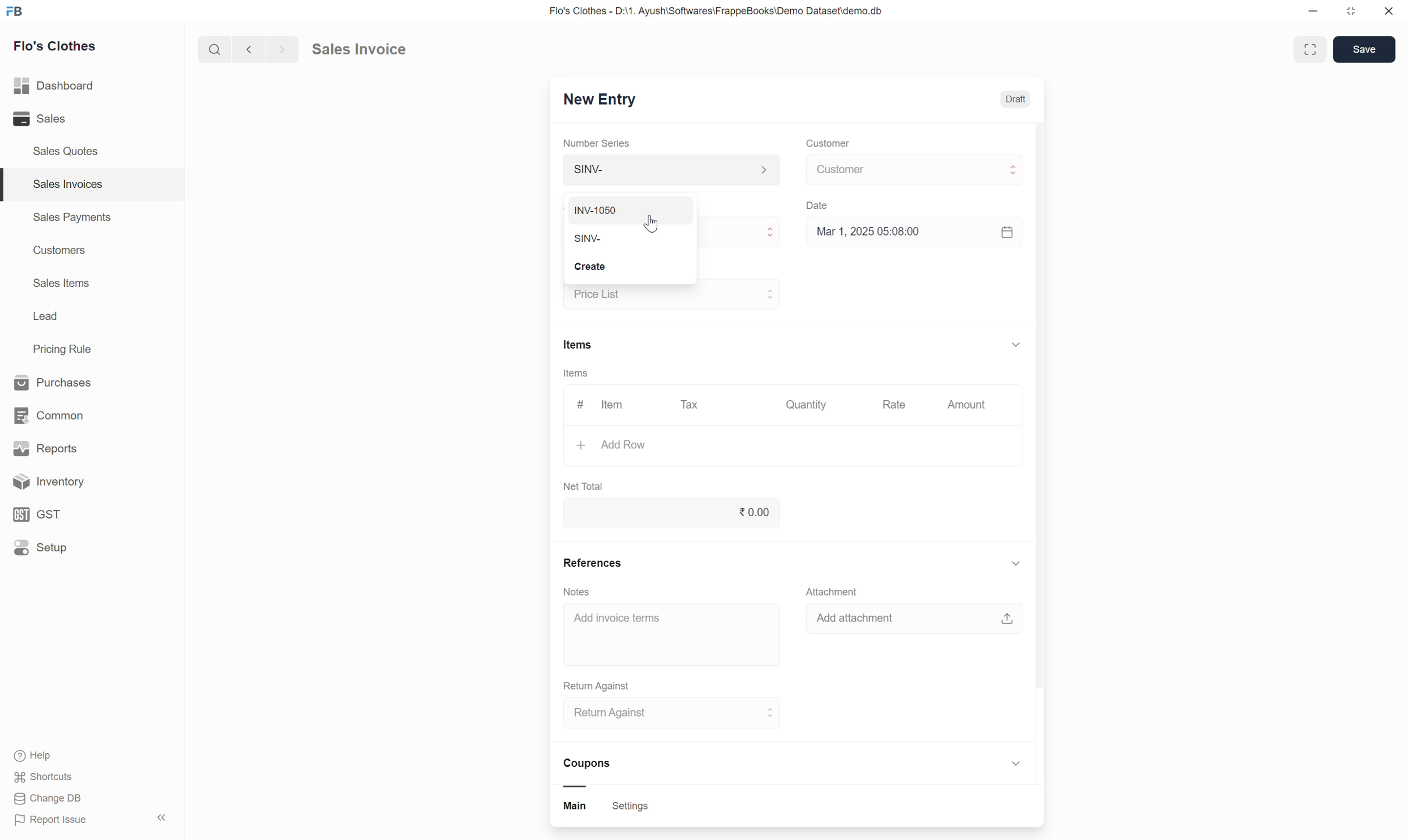 The height and width of the screenshot is (840, 1408). Describe the element at coordinates (726, 12) in the screenshot. I see `Flo's Clothes - D:\1. Ayush\Softwares\FrappeBooks\Demo Dataset\demo.db` at that location.